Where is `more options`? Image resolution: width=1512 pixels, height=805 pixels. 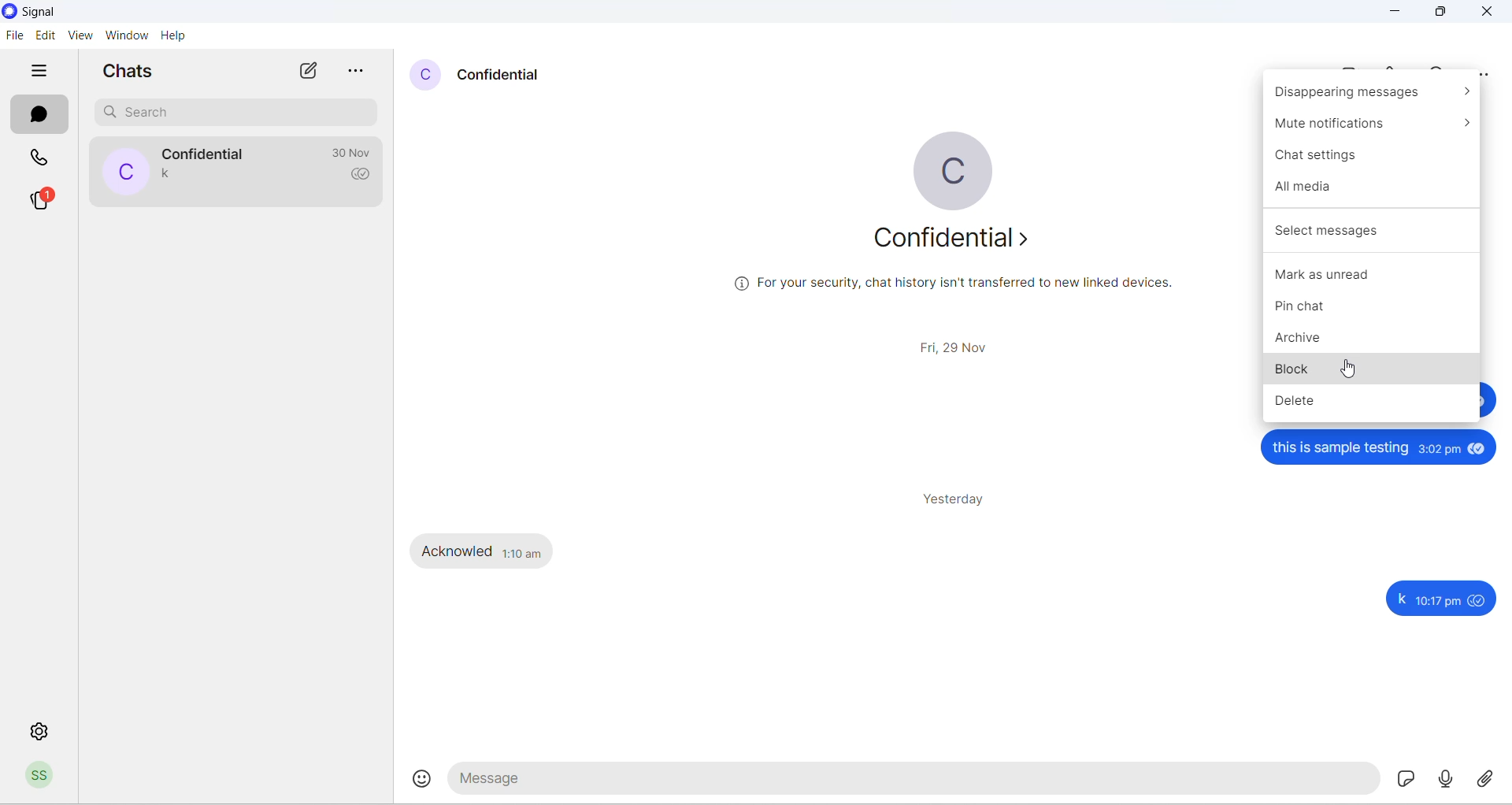 more options is located at coordinates (1488, 70).